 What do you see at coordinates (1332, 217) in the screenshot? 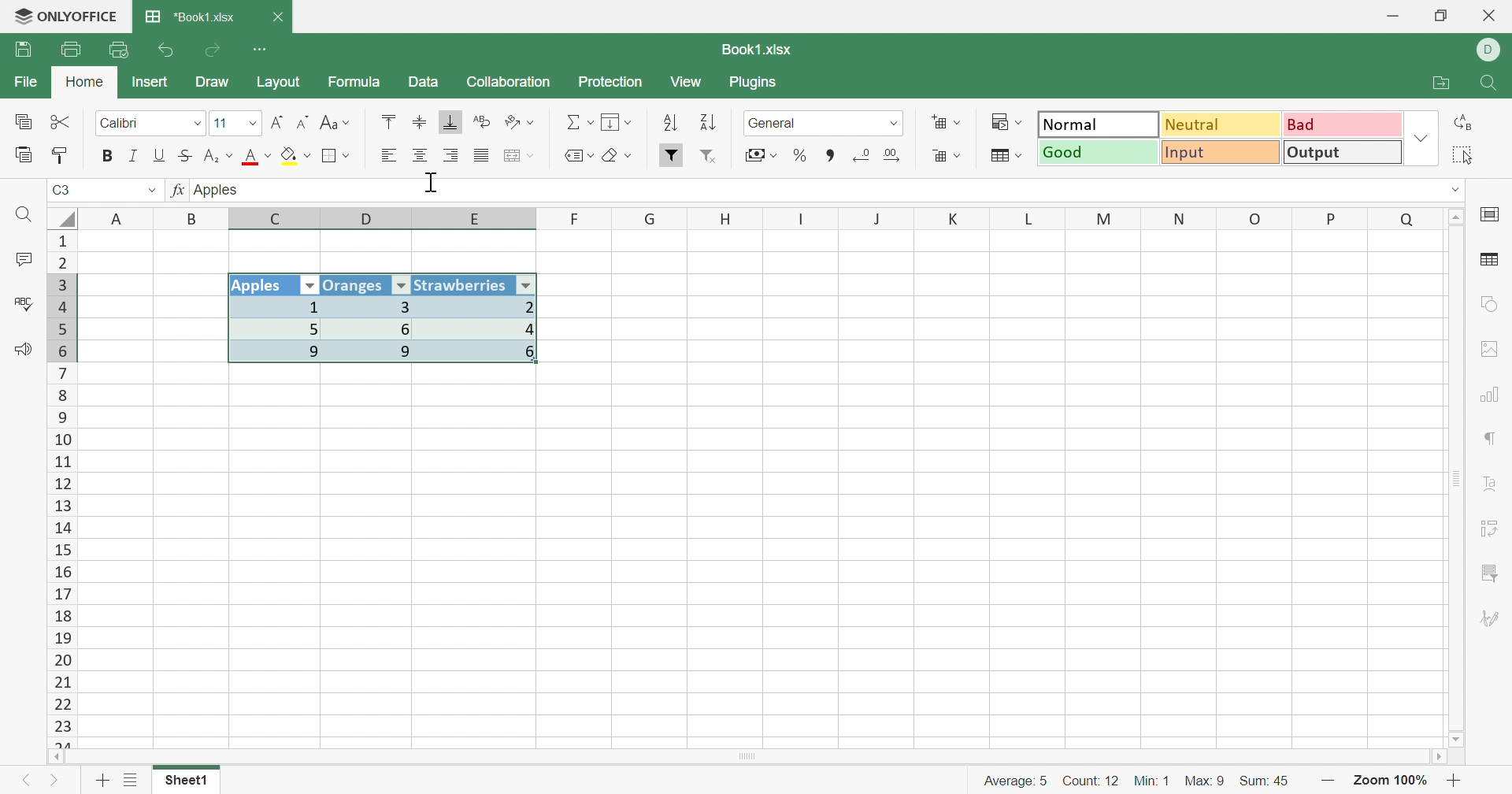
I see `P` at bounding box center [1332, 217].